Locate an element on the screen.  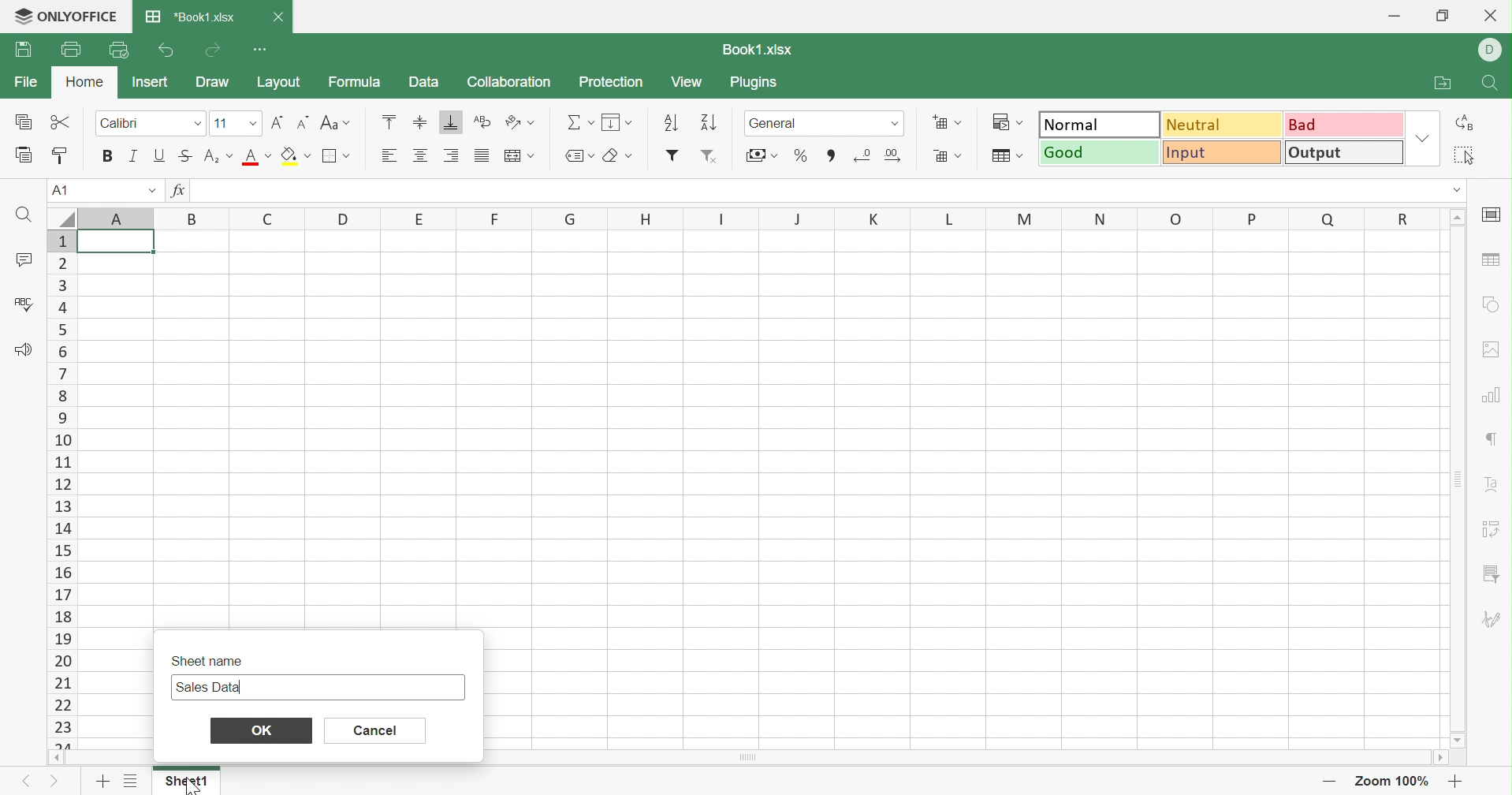
Select all is located at coordinates (1465, 156).